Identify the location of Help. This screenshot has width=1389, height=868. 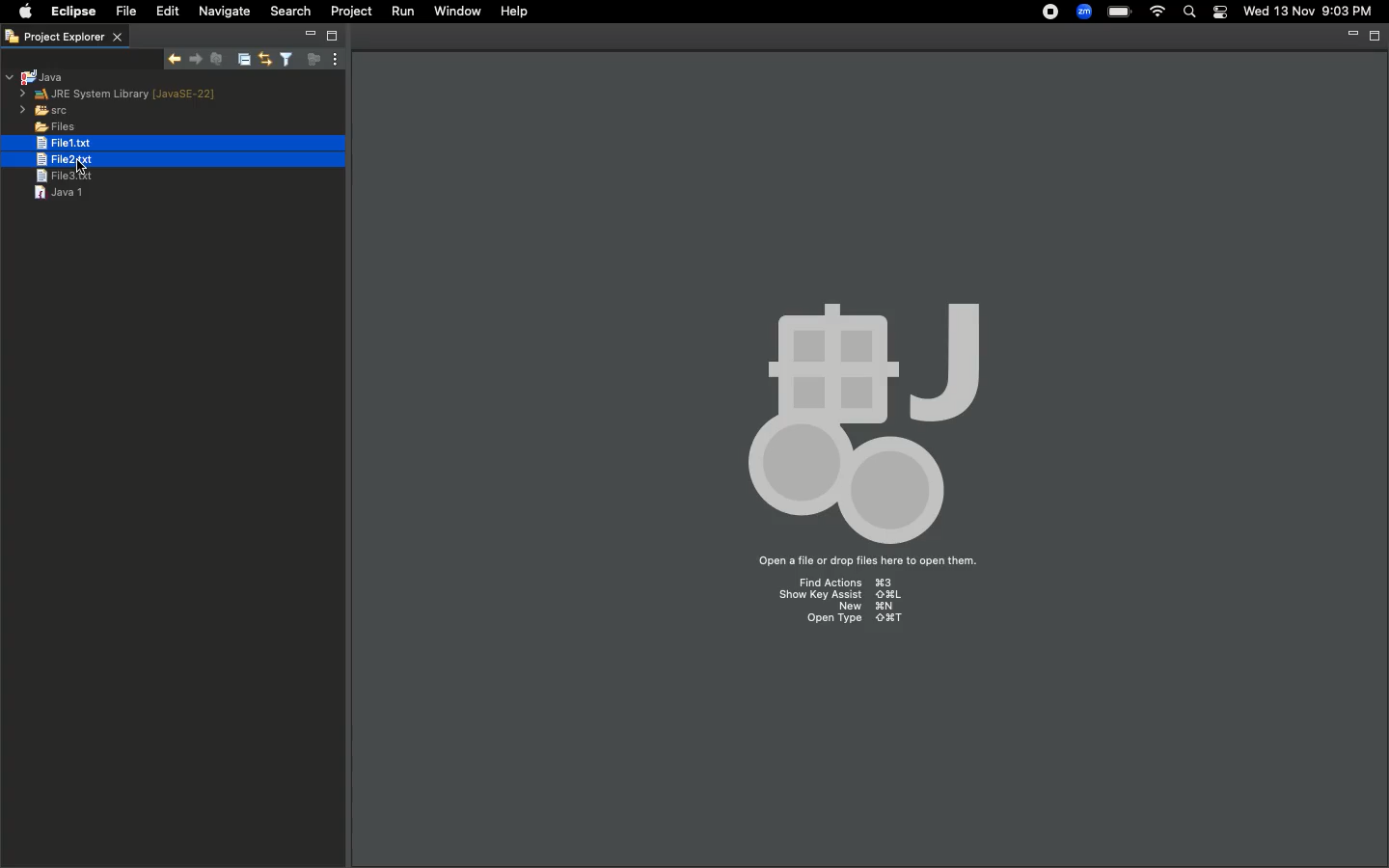
(515, 12).